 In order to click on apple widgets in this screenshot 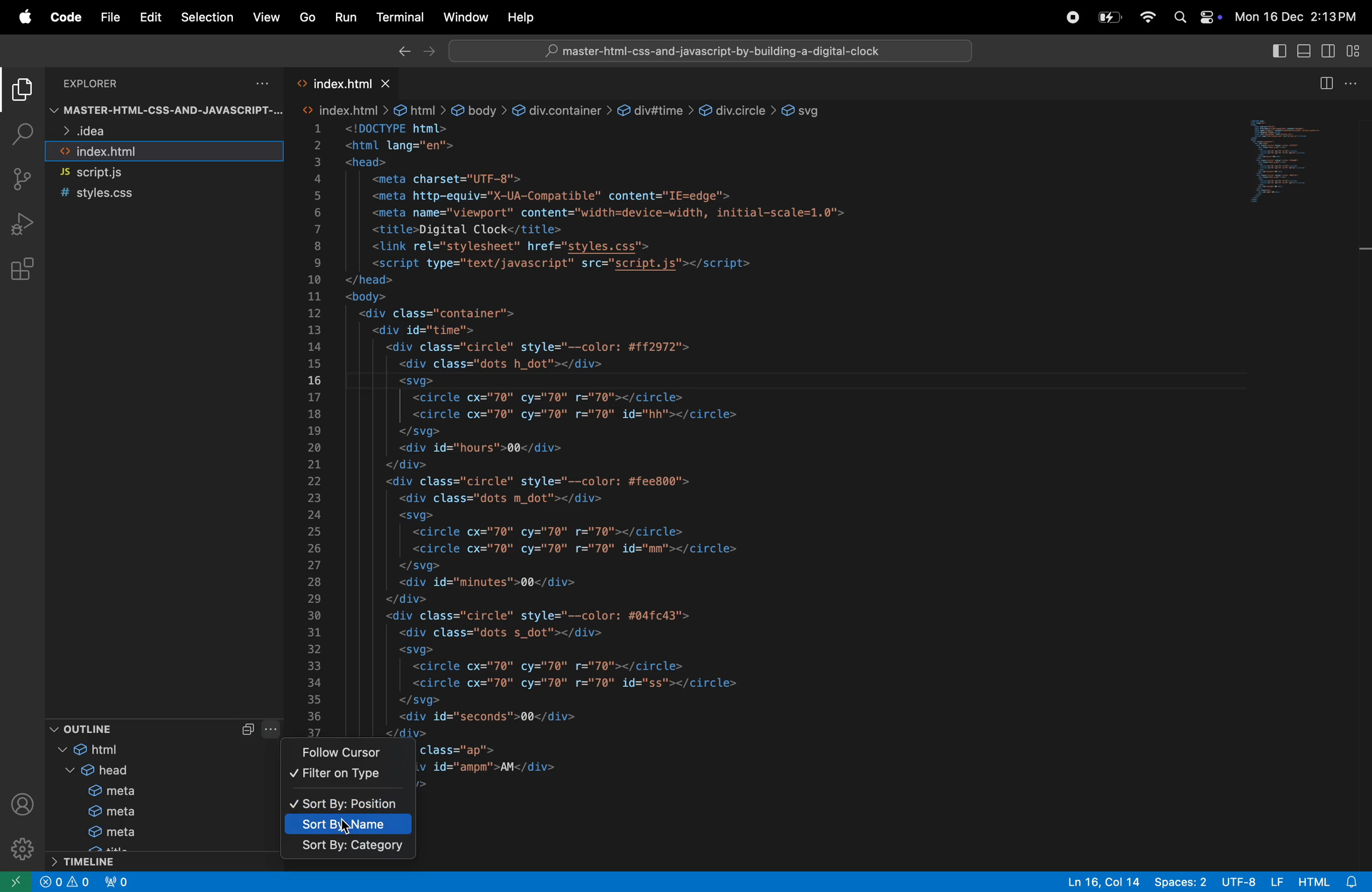, I will do `click(1208, 17)`.